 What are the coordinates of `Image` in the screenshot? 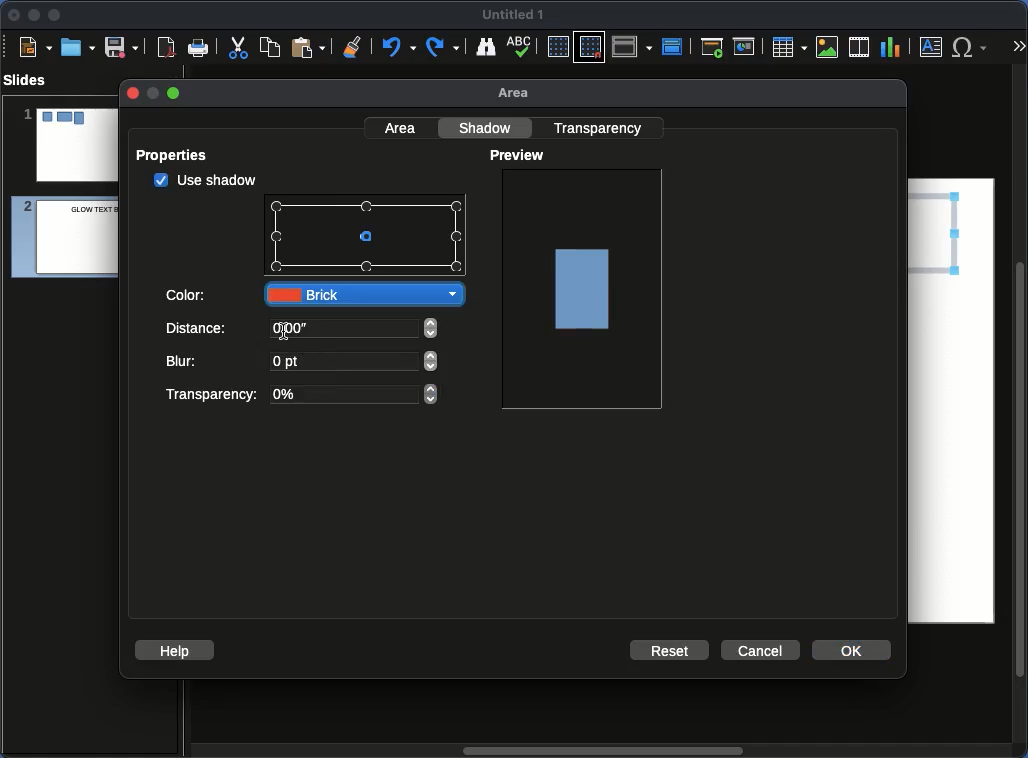 It's located at (828, 47).